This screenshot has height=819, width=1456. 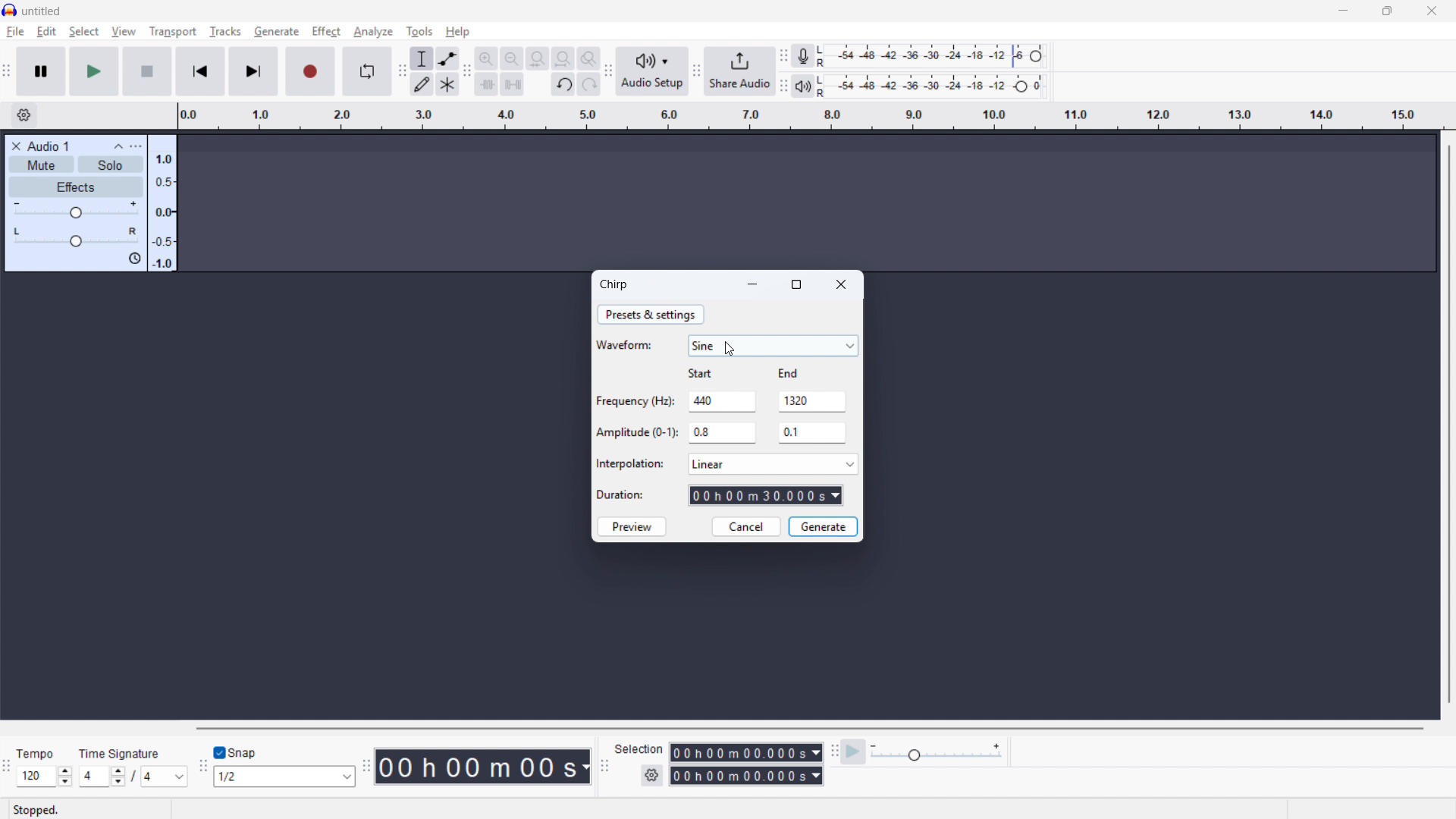 I want to click on Skip to end  , so click(x=253, y=71).